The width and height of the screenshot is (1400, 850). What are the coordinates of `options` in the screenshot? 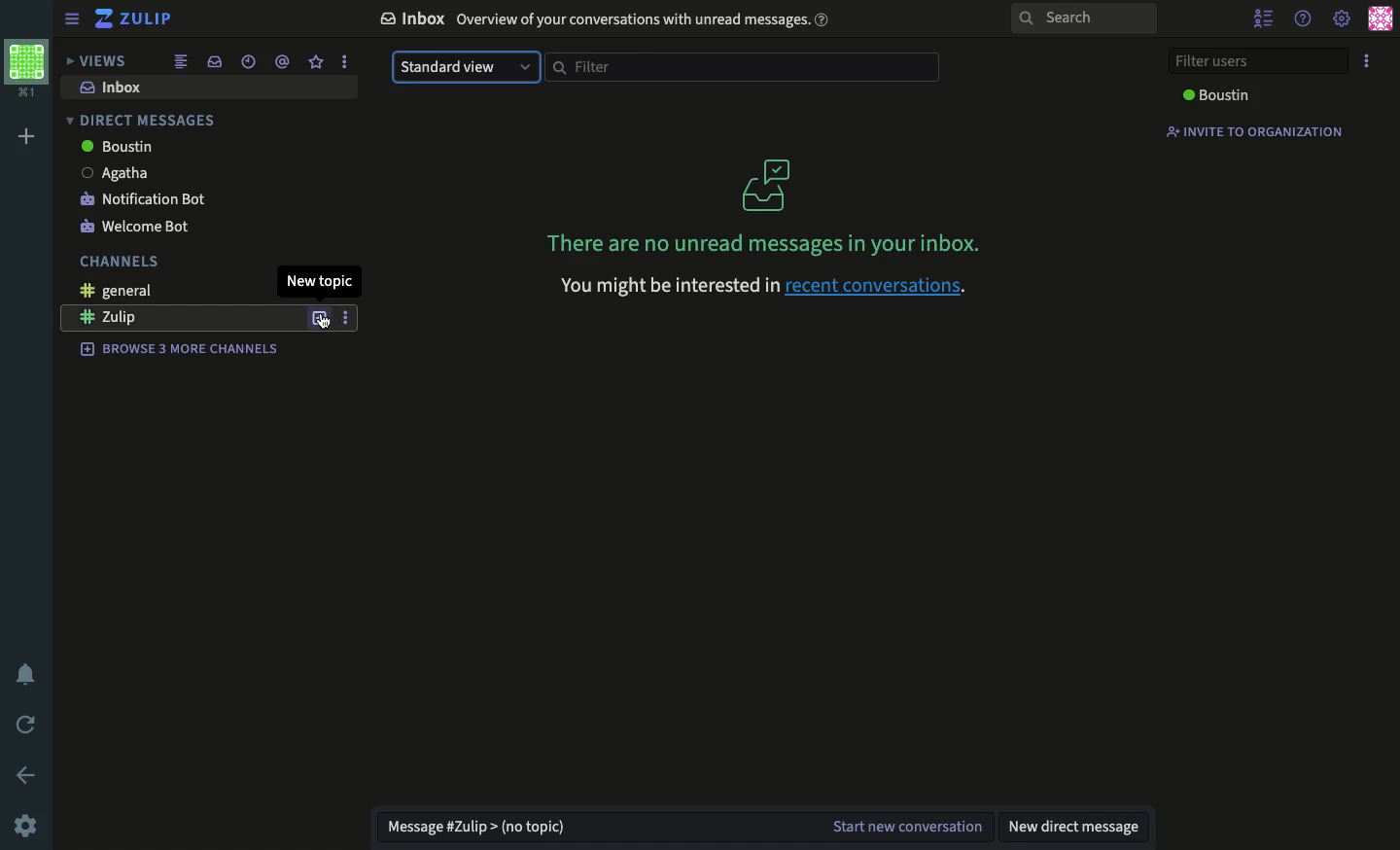 It's located at (350, 318).